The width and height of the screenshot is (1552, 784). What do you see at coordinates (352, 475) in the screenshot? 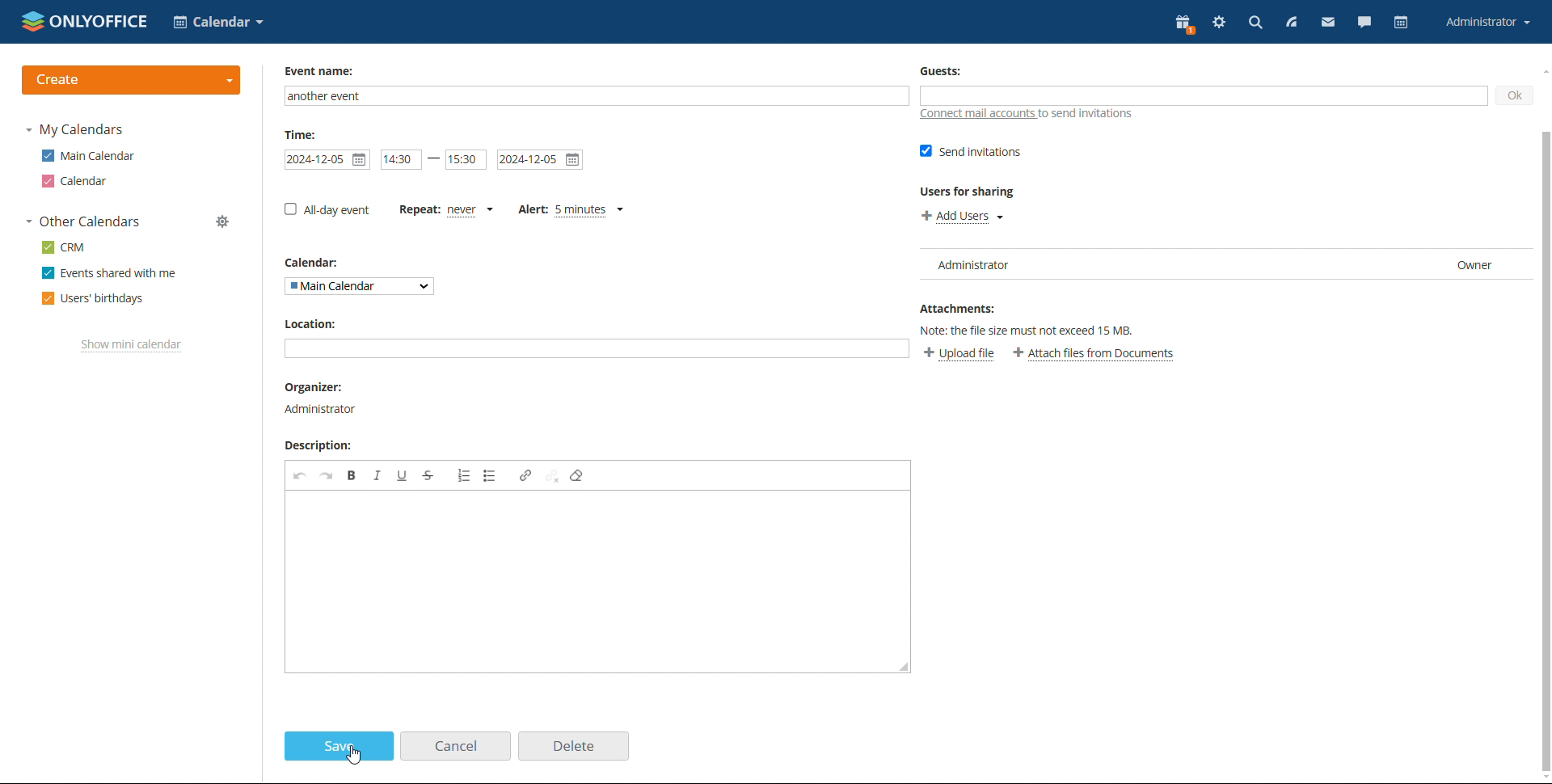
I see `bold` at bounding box center [352, 475].